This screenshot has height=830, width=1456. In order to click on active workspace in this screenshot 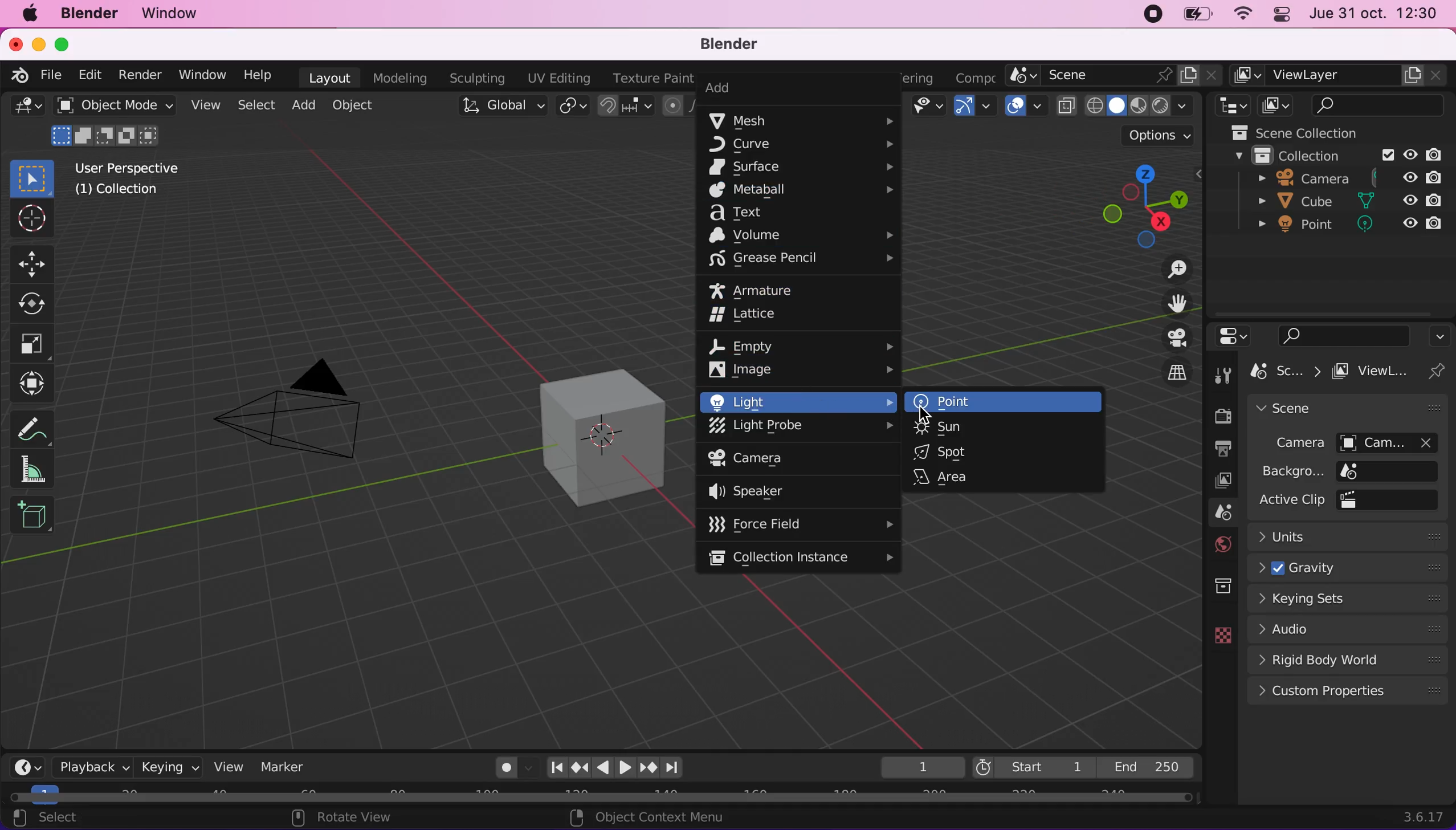, I will do `click(978, 75)`.